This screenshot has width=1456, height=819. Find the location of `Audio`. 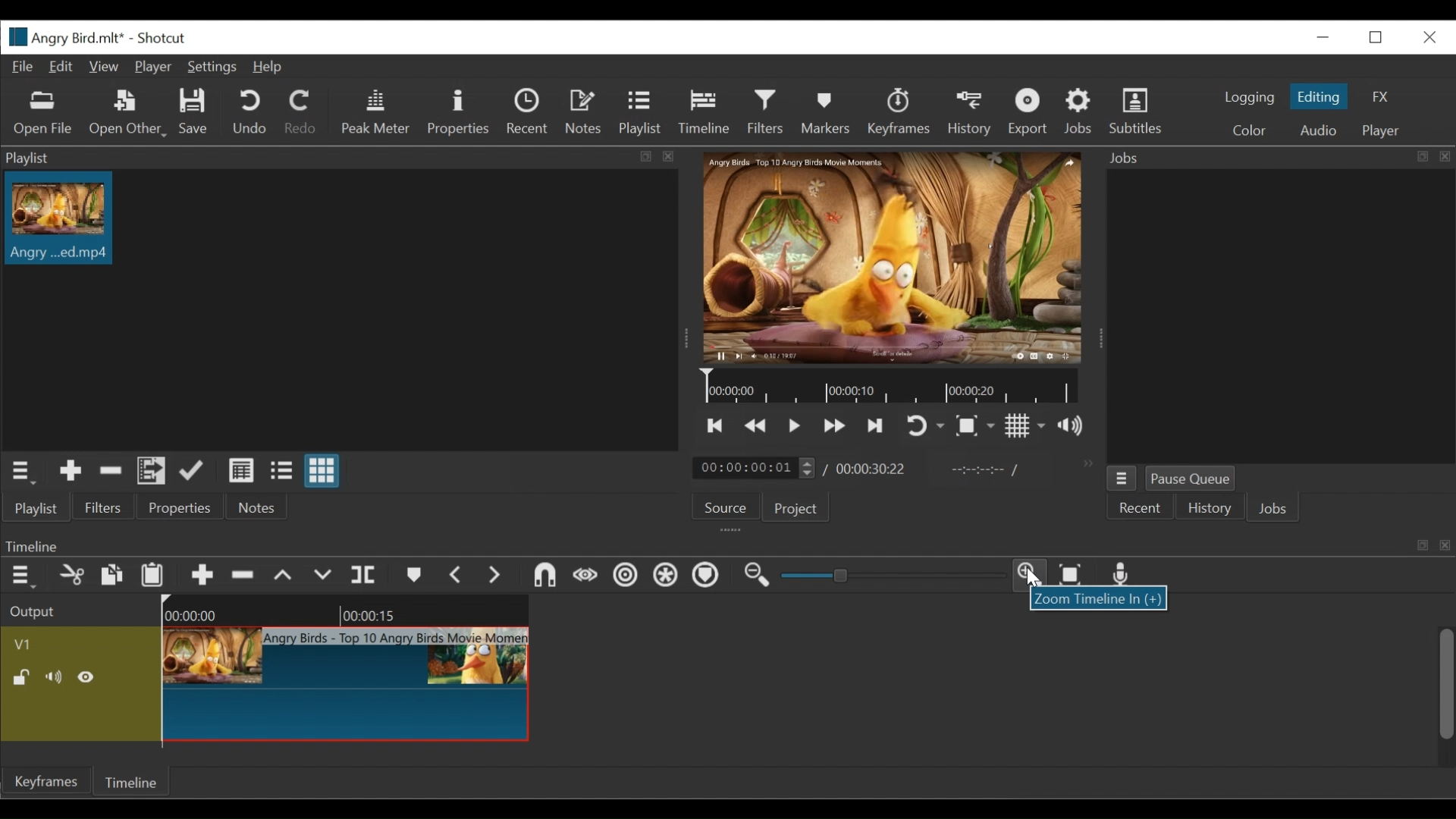

Audio is located at coordinates (1313, 130).